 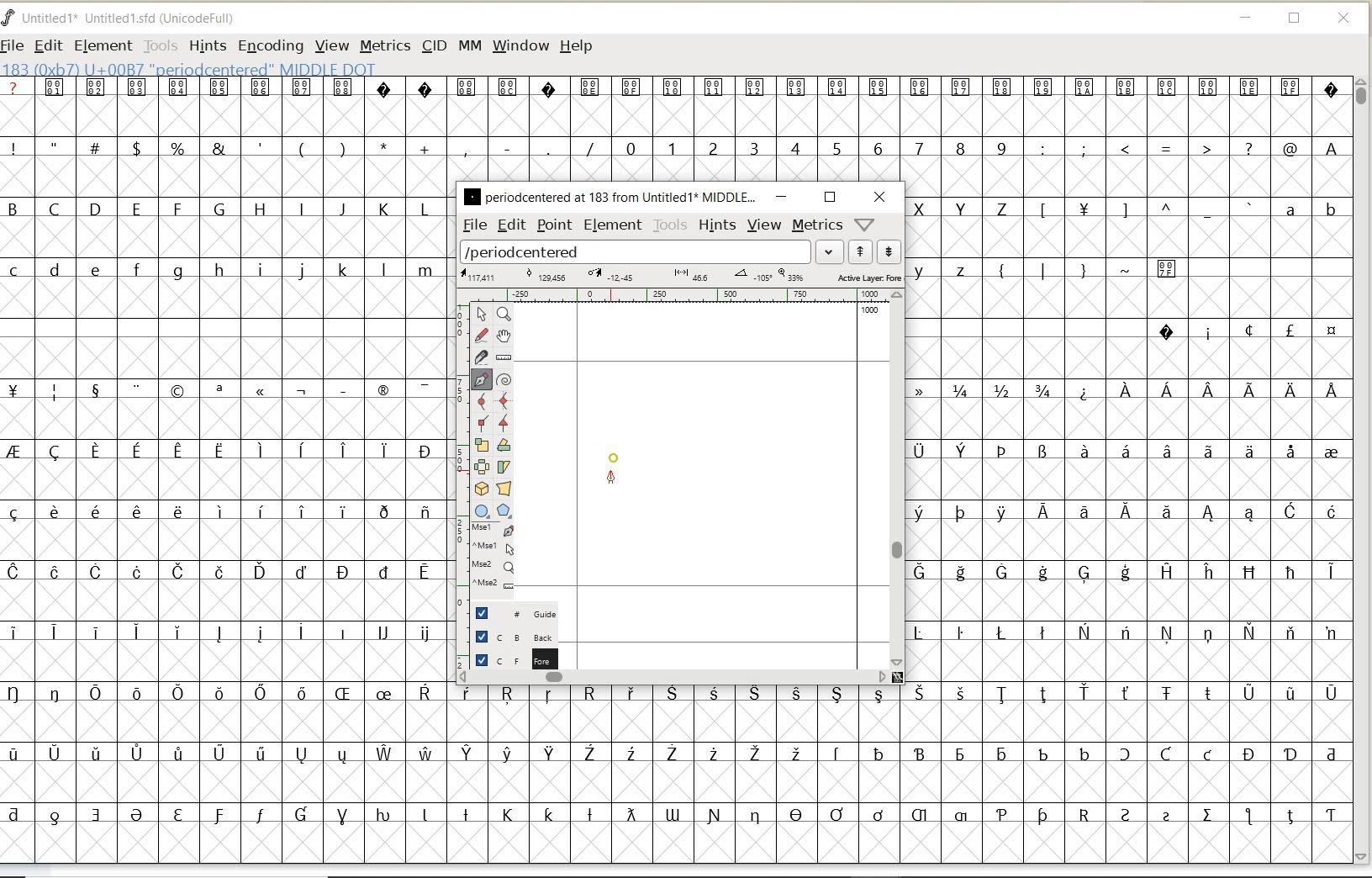 What do you see at coordinates (554, 226) in the screenshot?
I see `point` at bounding box center [554, 226].